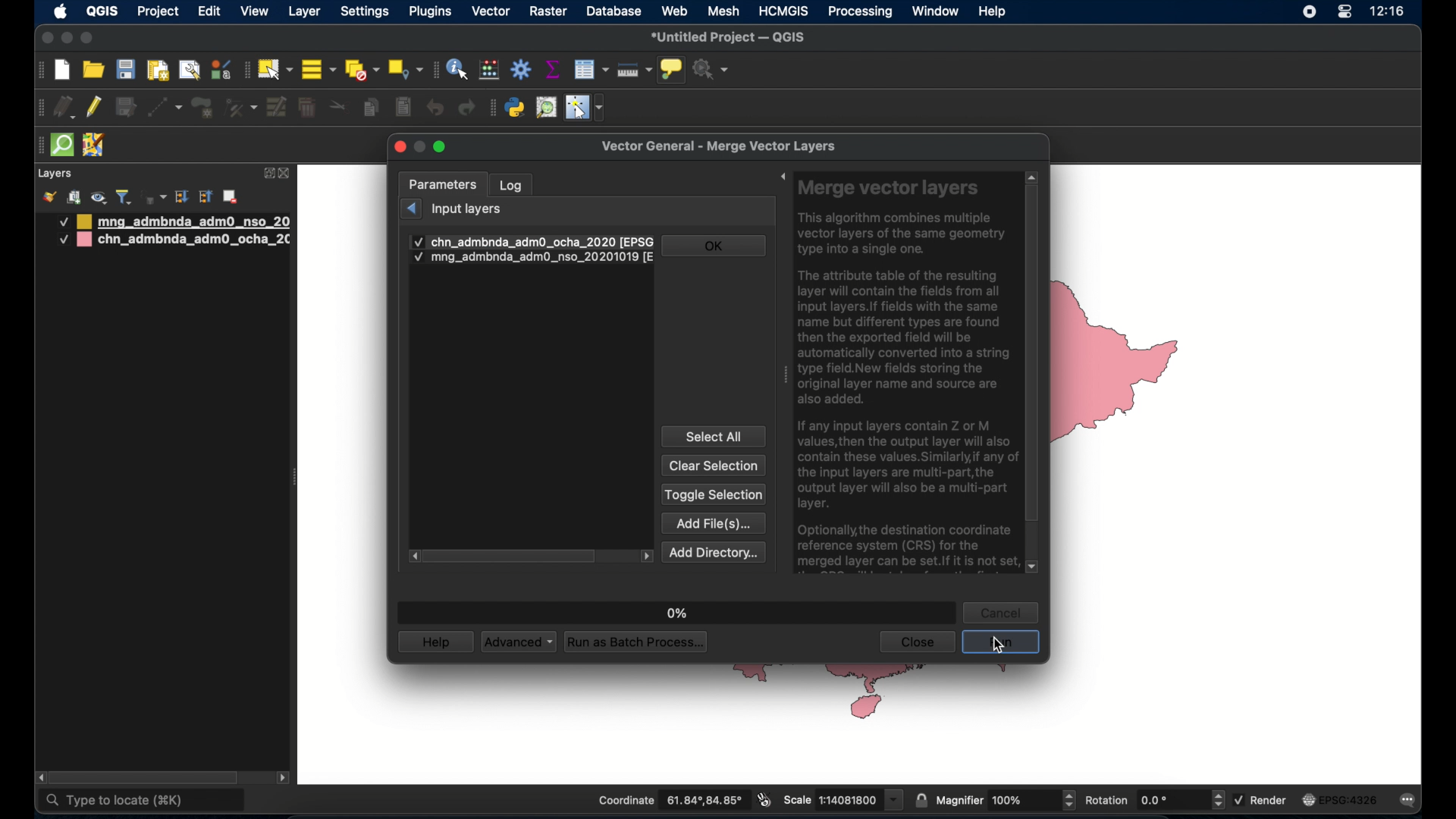 This screenshot has width=1456, height=819. I want to click on previous, so click(410, 208).